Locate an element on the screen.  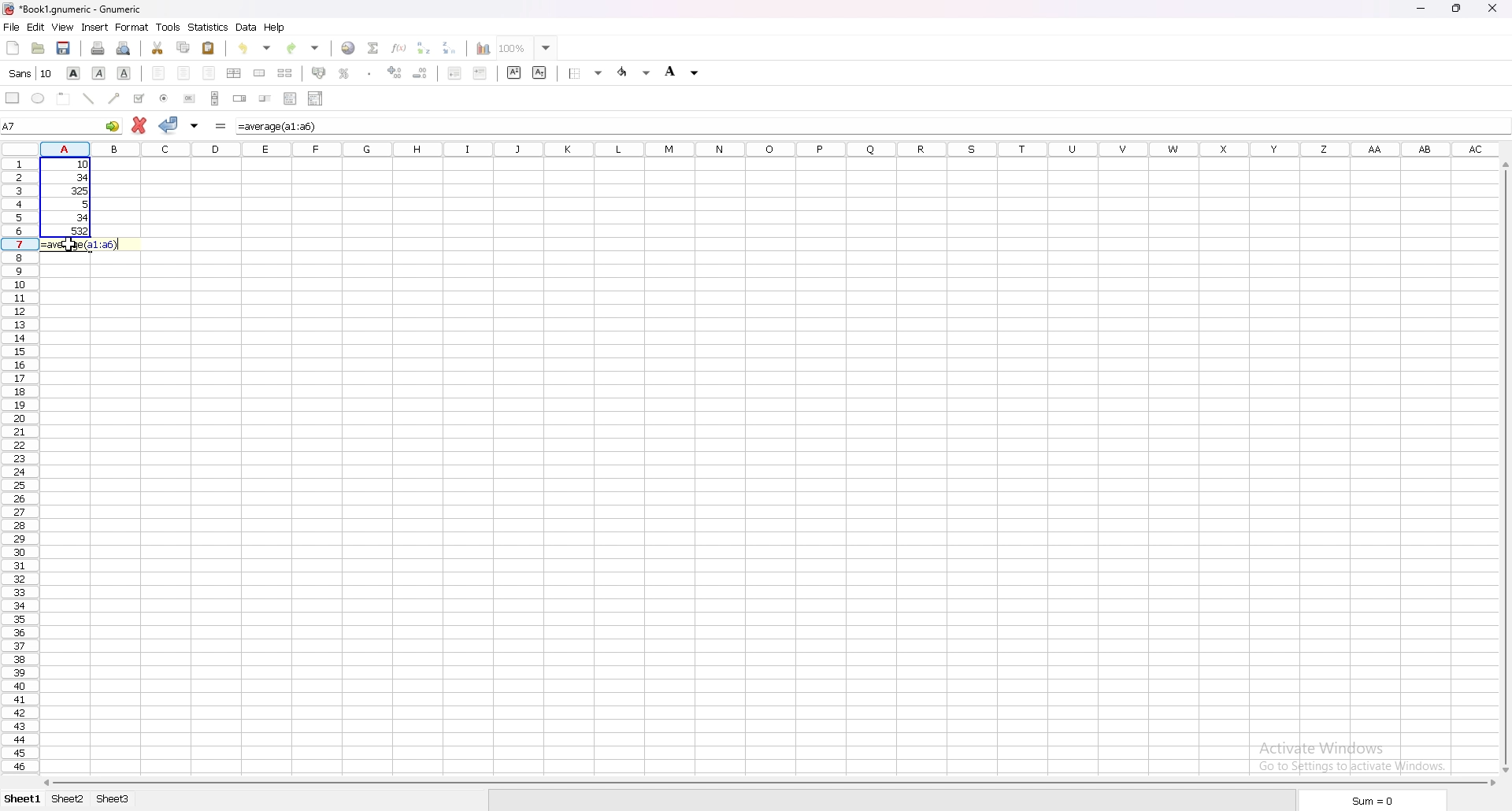
34 is located at coordinates (70, 218).